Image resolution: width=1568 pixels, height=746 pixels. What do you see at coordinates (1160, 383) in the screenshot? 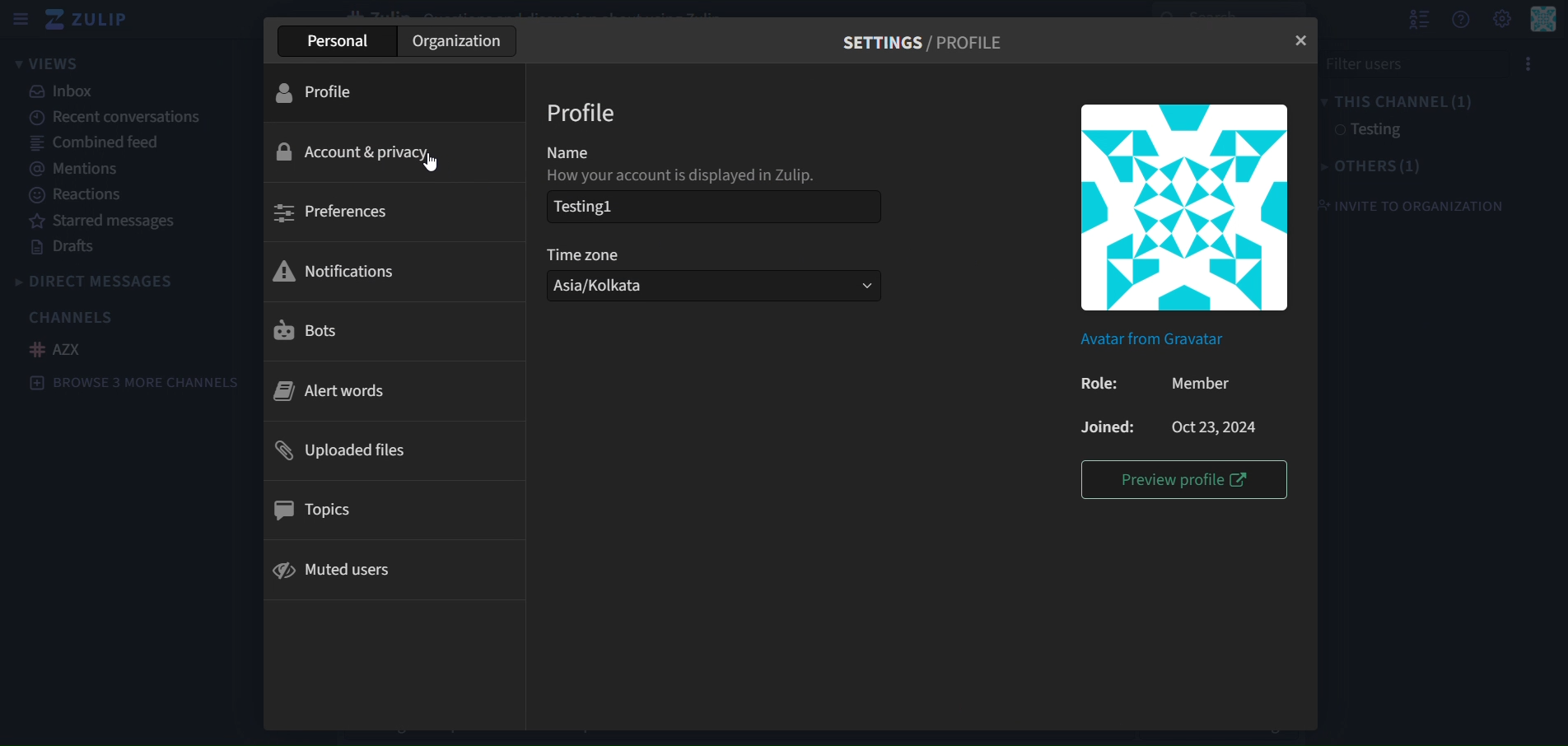
I see `Role: Member` at bounding box center [1160, 383].